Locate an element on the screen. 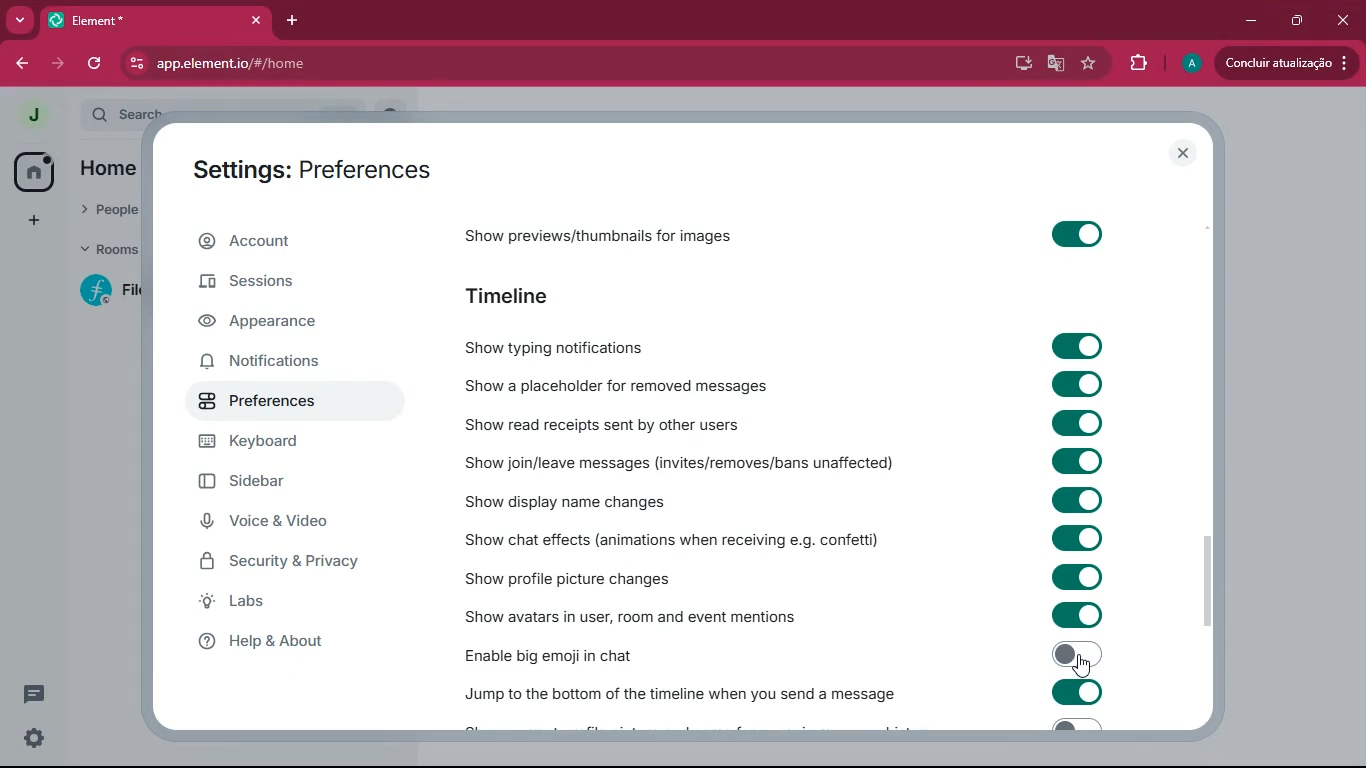  back is located at coordinates (19, 63).